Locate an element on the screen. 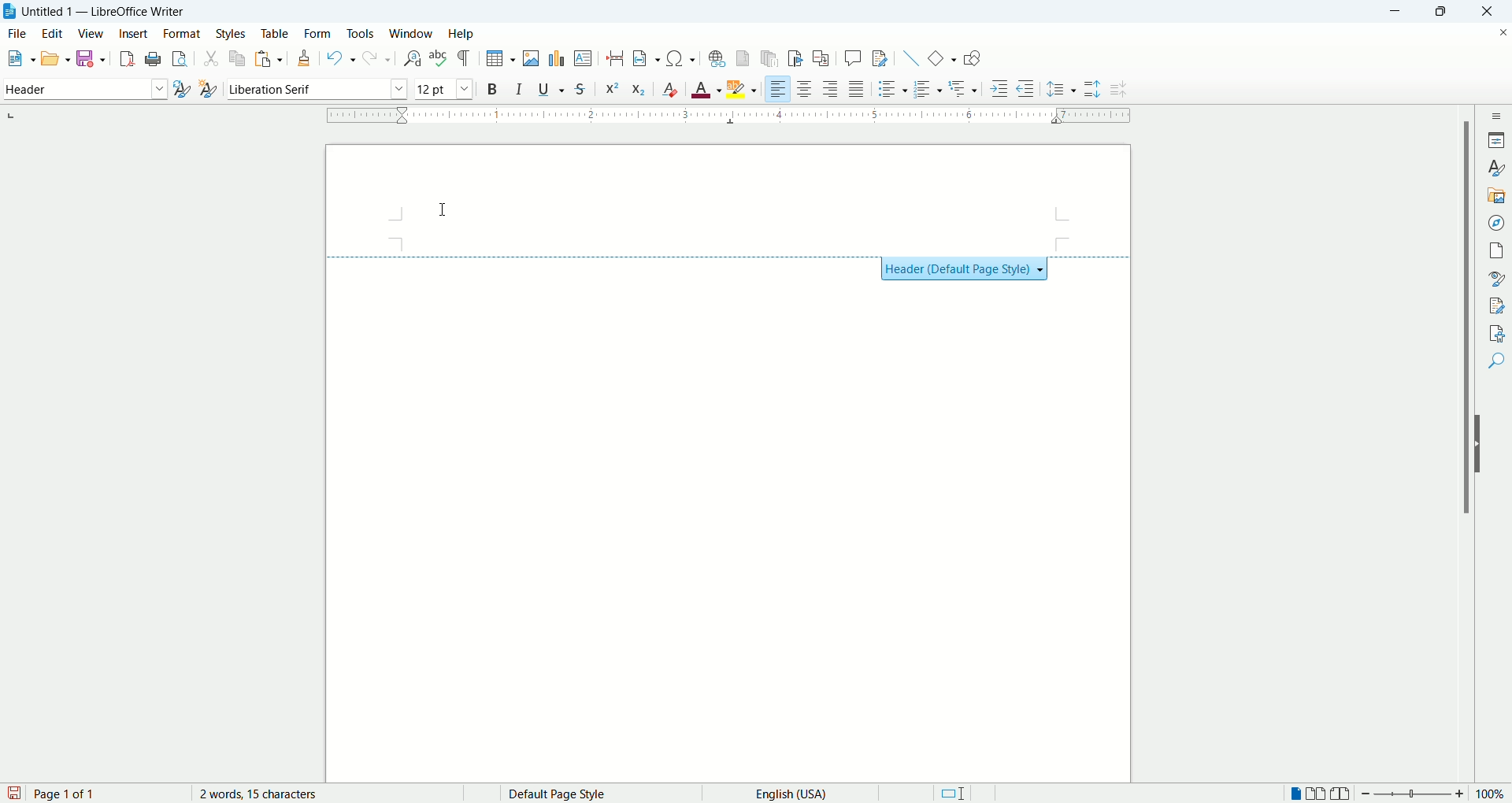 This screenshot has width=1512, height=803. export as pdf is located at coordinates (124, 59).